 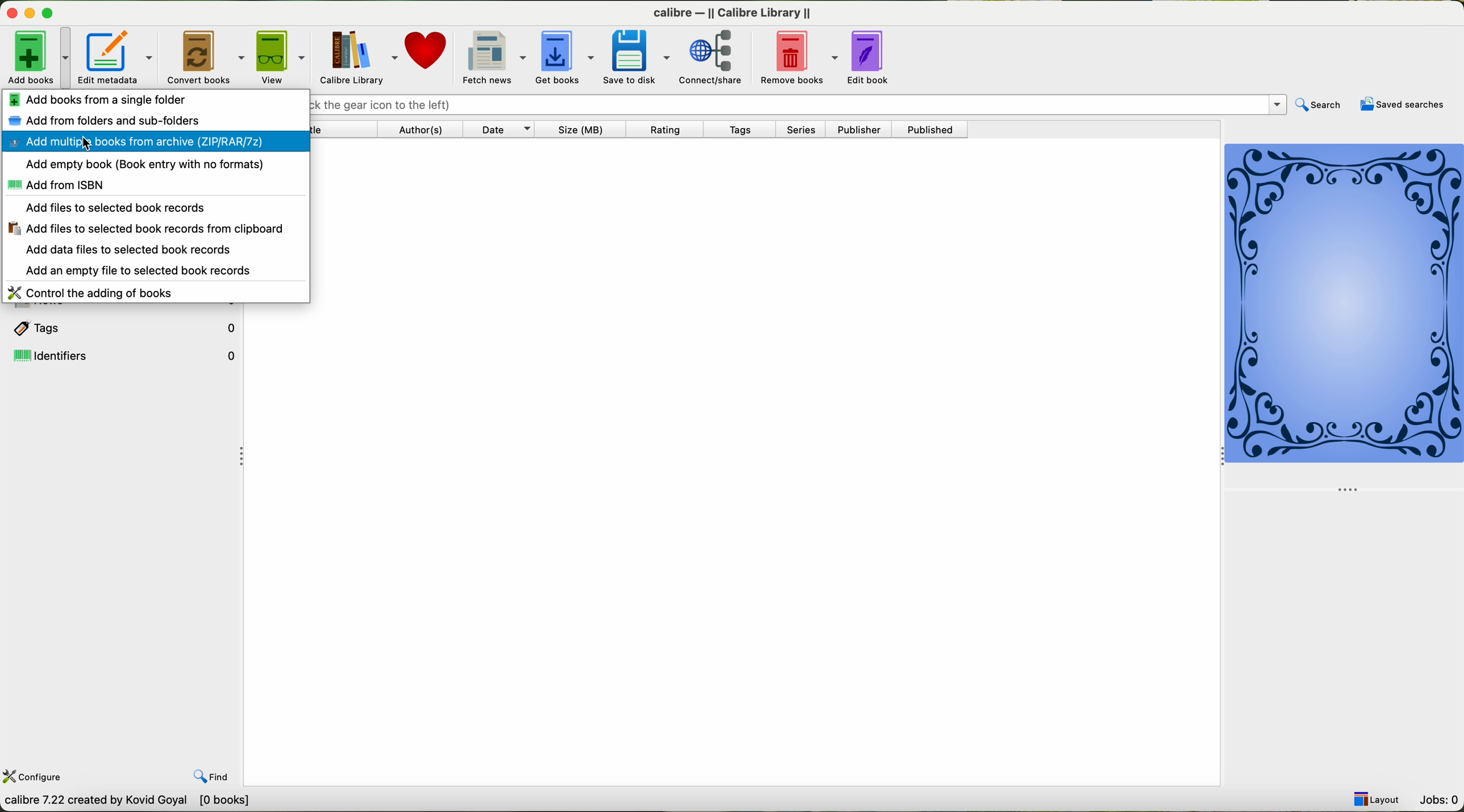 What do you see at coordinates (428, 53) in the screenshot?
I see `donate` at bounding box center [428, 53].